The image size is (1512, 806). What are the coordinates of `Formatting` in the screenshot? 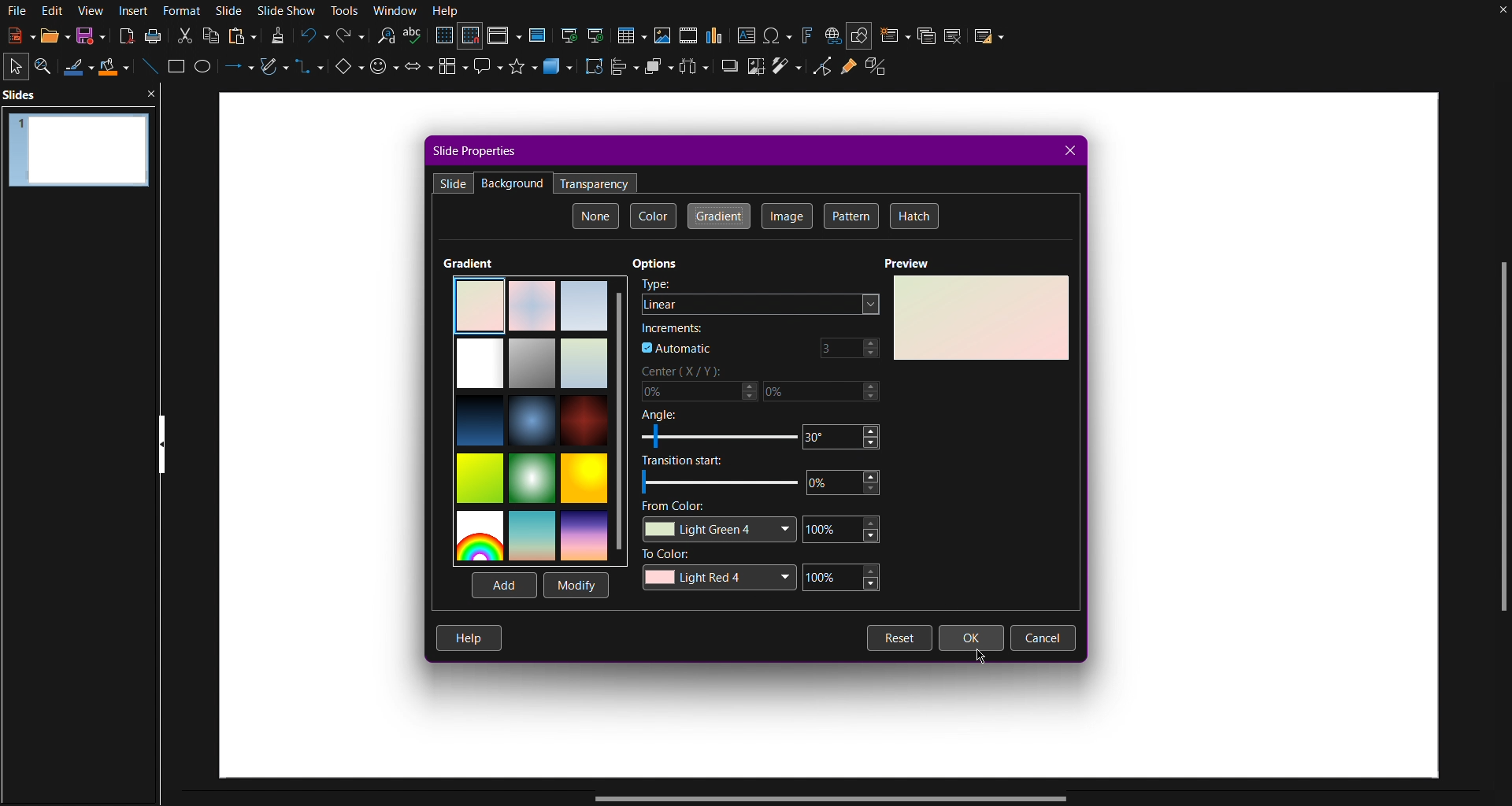 It's located at (277, 35).